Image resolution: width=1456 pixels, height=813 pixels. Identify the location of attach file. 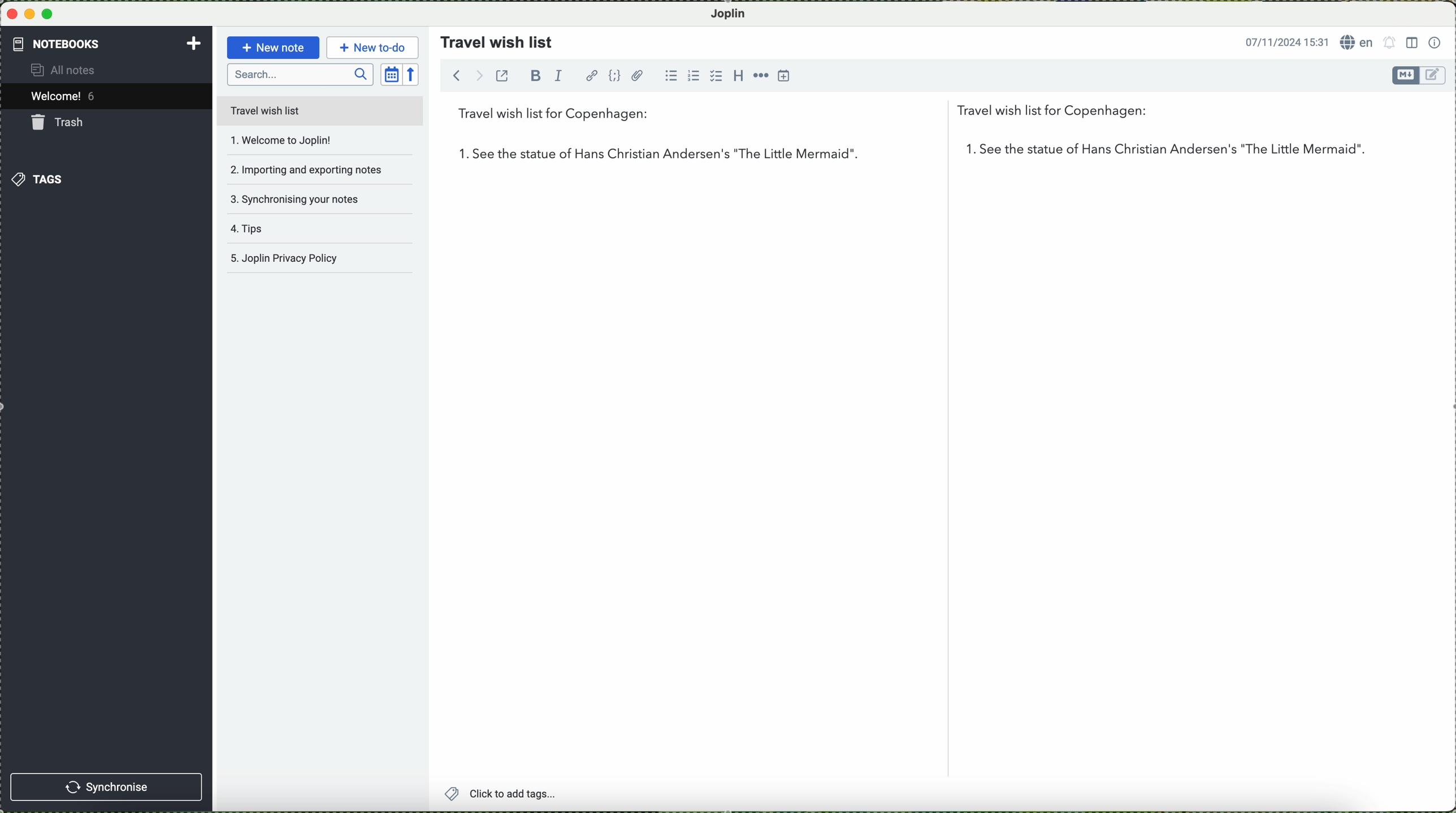
(638, 75).